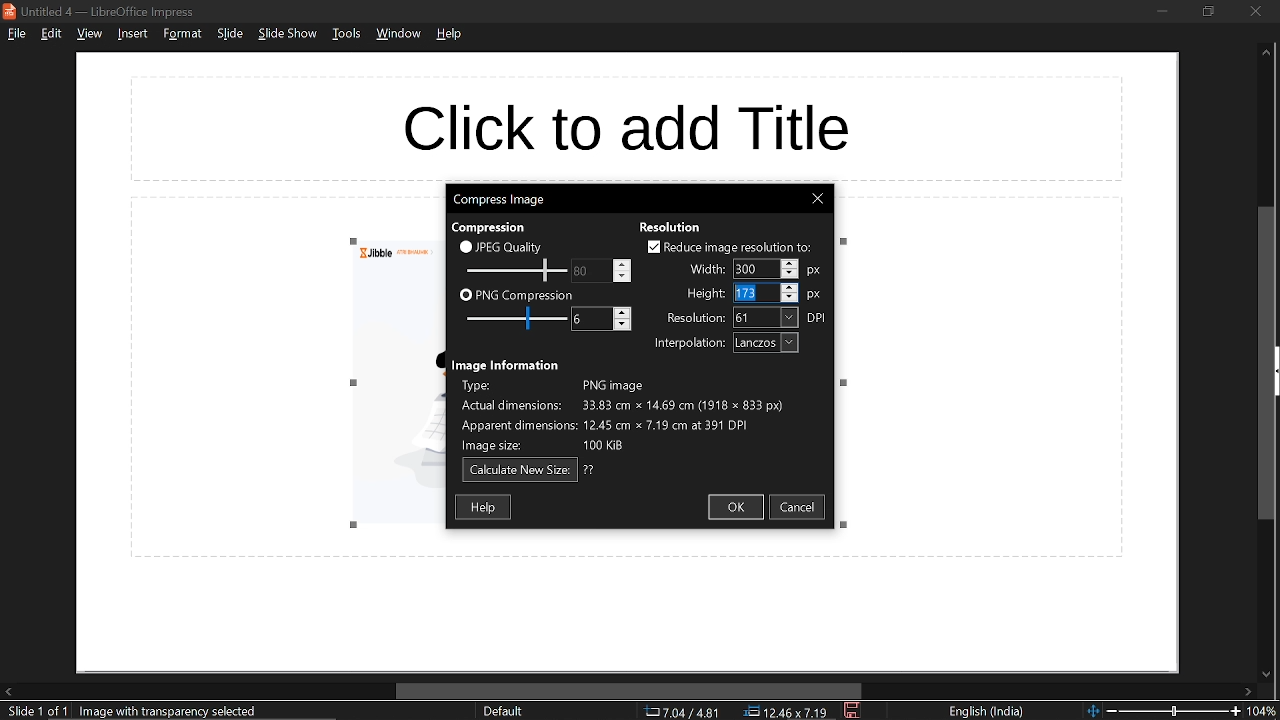 This screenshot has height=720, width=1280. What do you see at coordinates (623, 312) in the screenshot?
I see `Increase ` at bounding box center [623, 312].